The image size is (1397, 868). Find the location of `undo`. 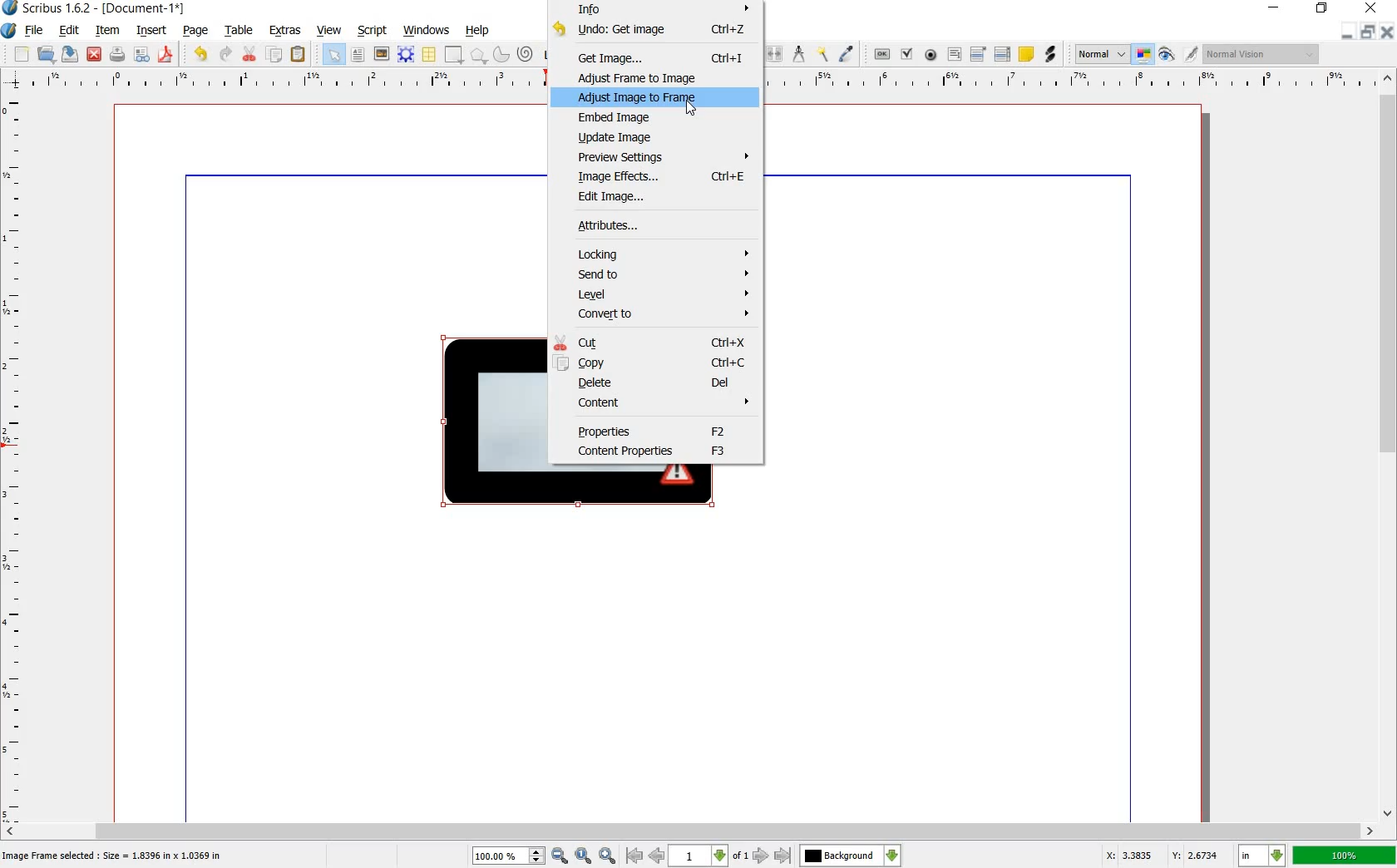

undo is located at coordinates (655, 30).